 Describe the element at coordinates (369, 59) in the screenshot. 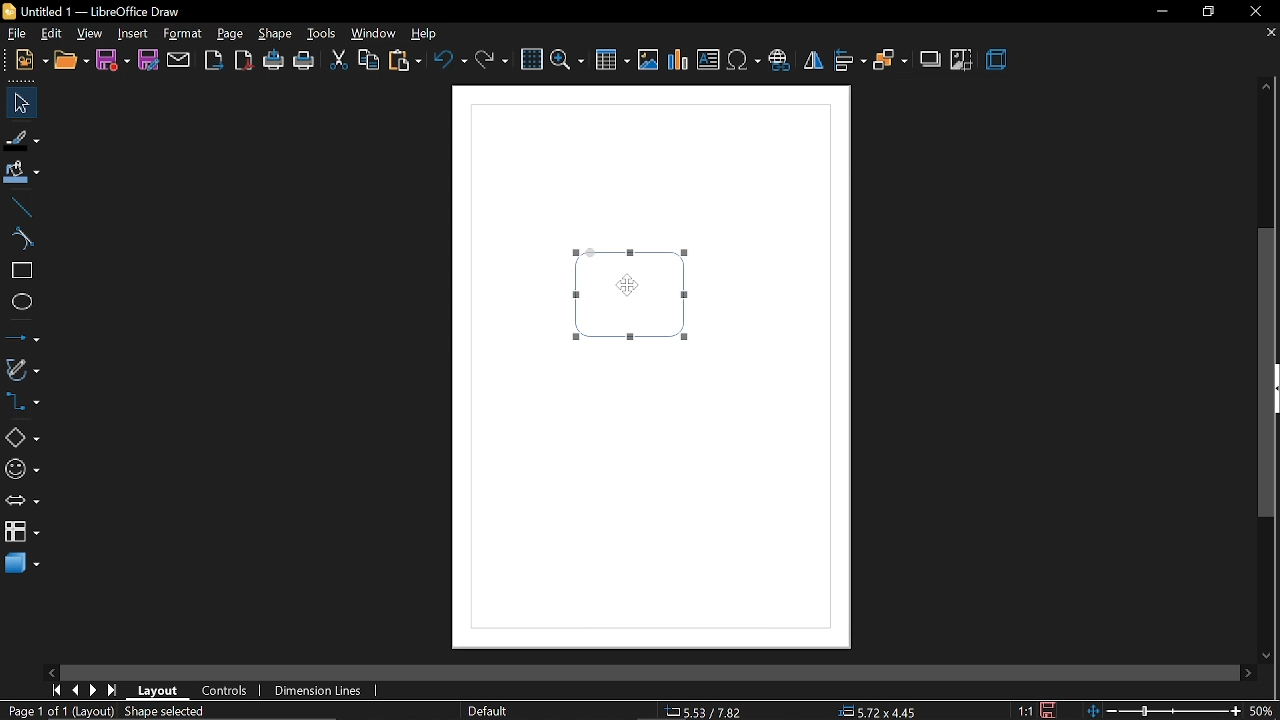

I see `copy` at that location.